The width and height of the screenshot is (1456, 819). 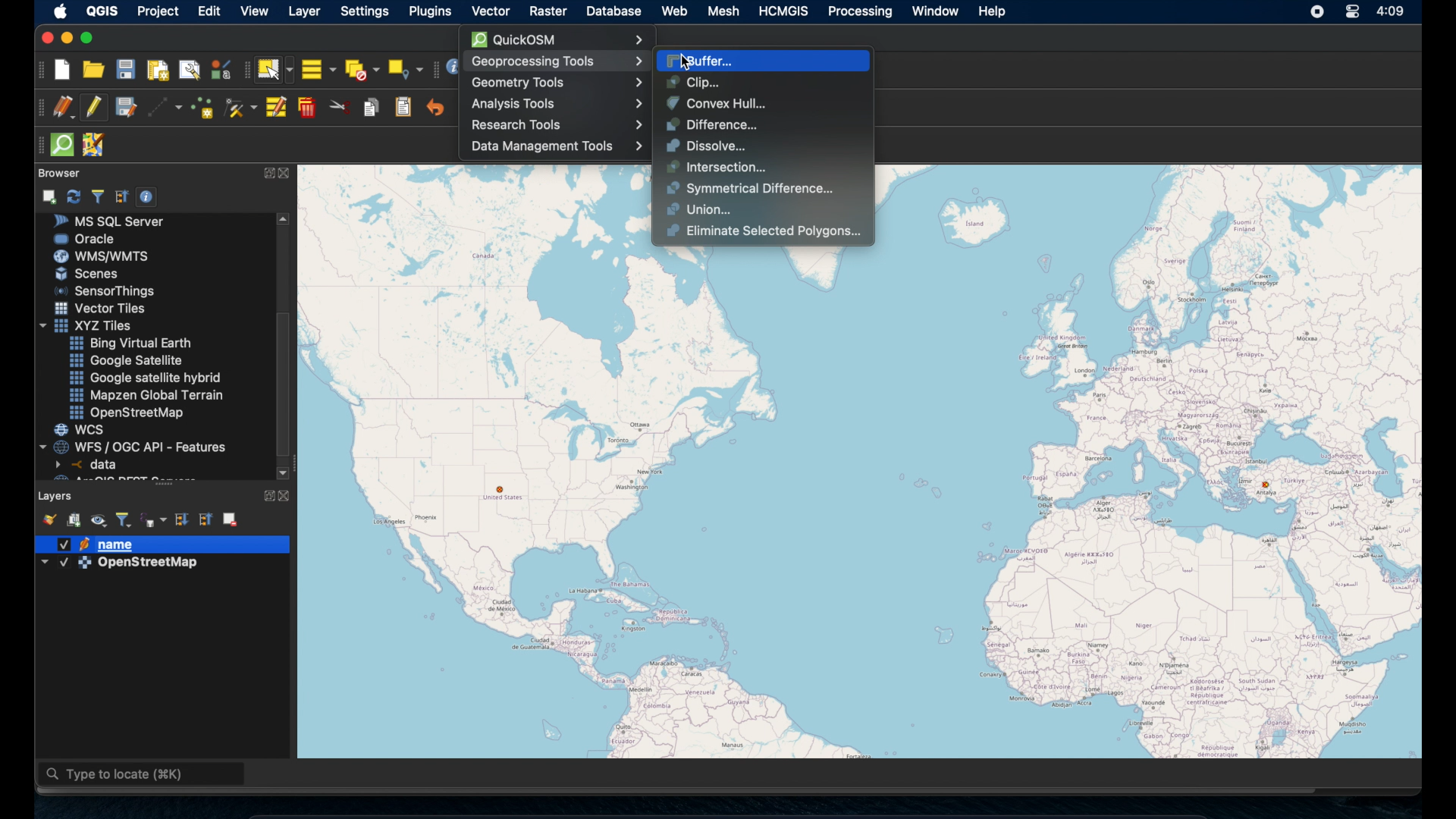 What do you see at coordinates (101, 256) in the screenshot?
I see `wms/wmts` at bounding box center [101, 256].